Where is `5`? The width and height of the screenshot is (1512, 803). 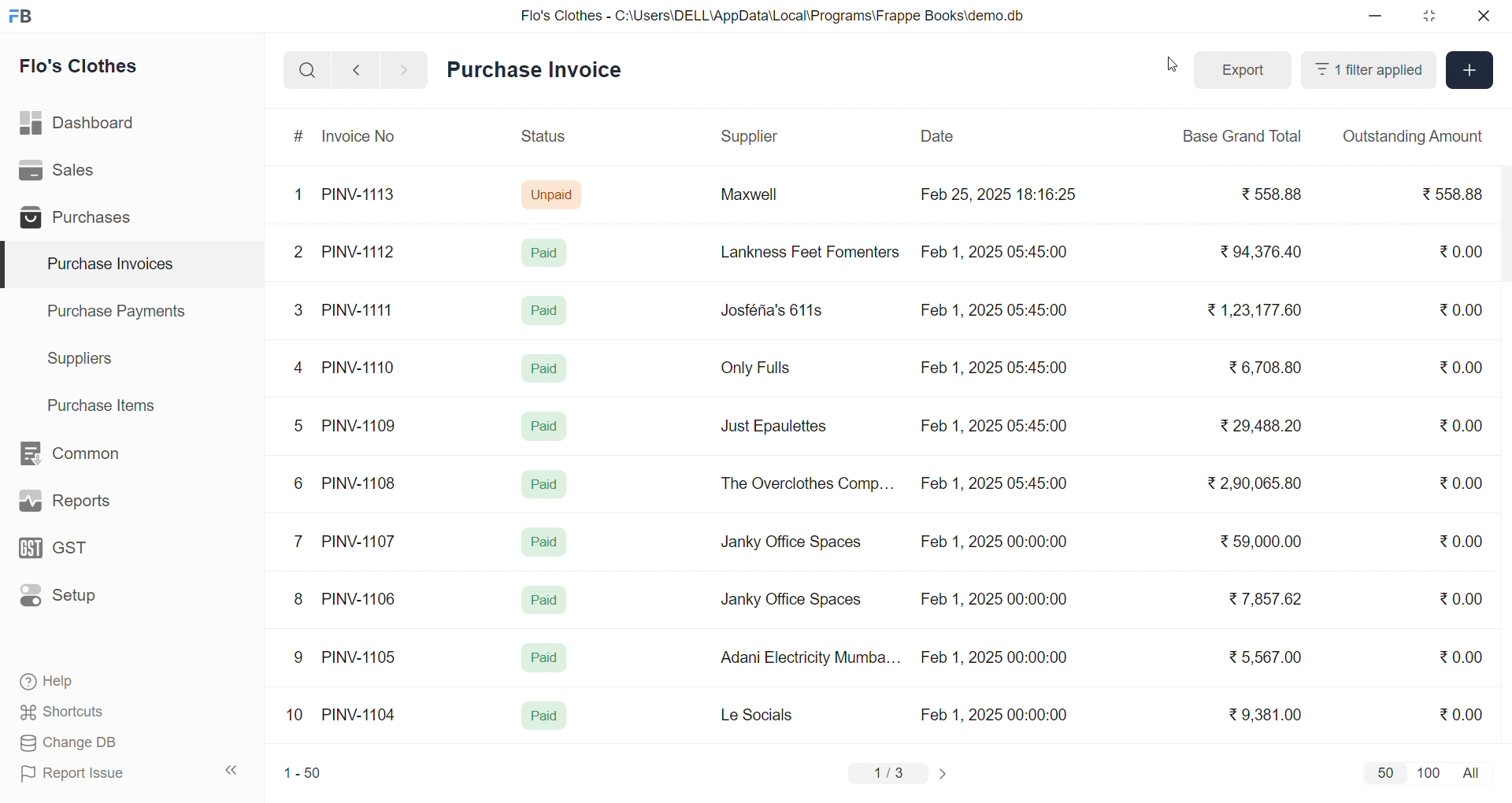 5 is located at coordinates (298, 425).